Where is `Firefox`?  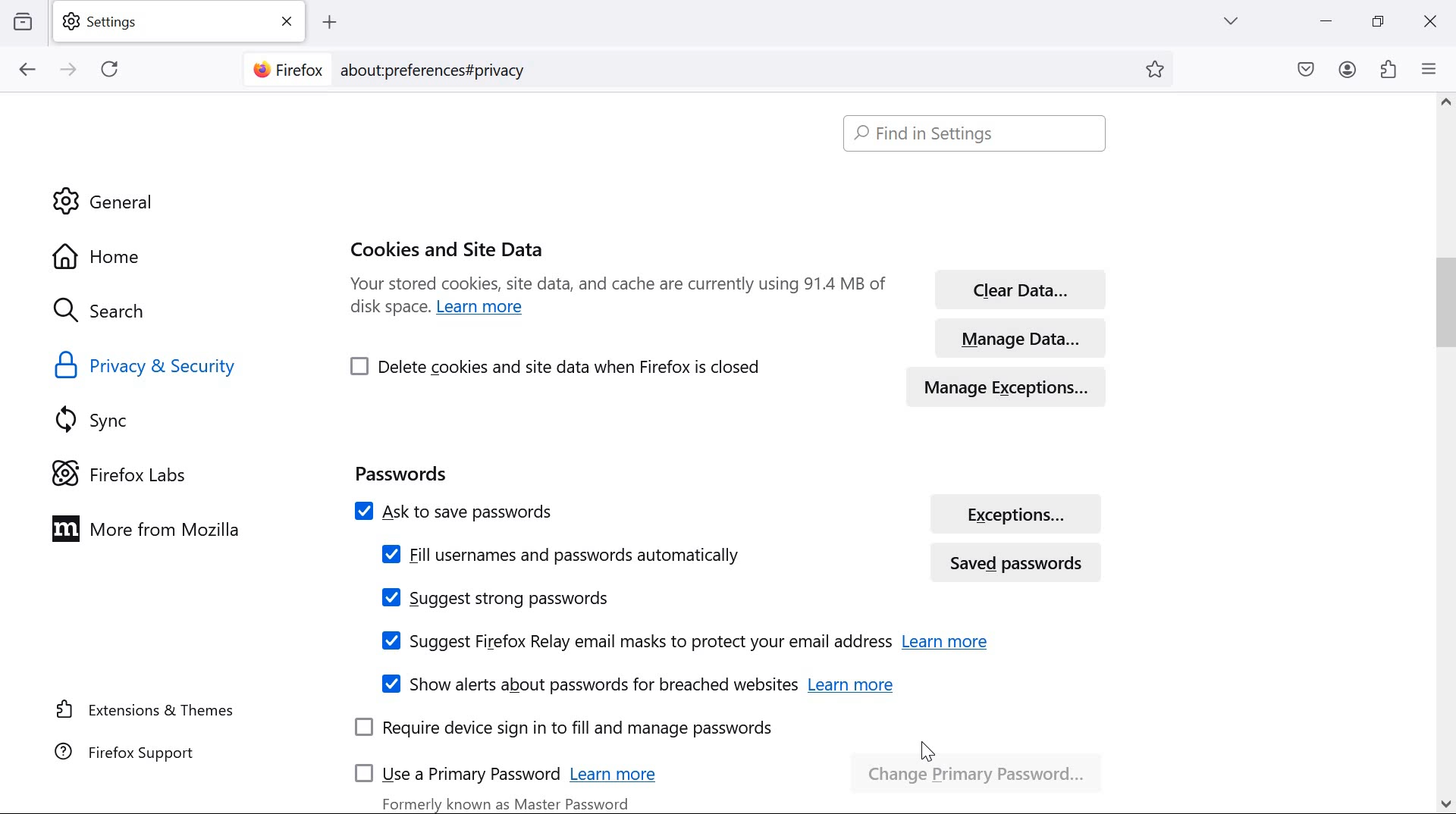
Firefox is located at coordinates (287, 67).